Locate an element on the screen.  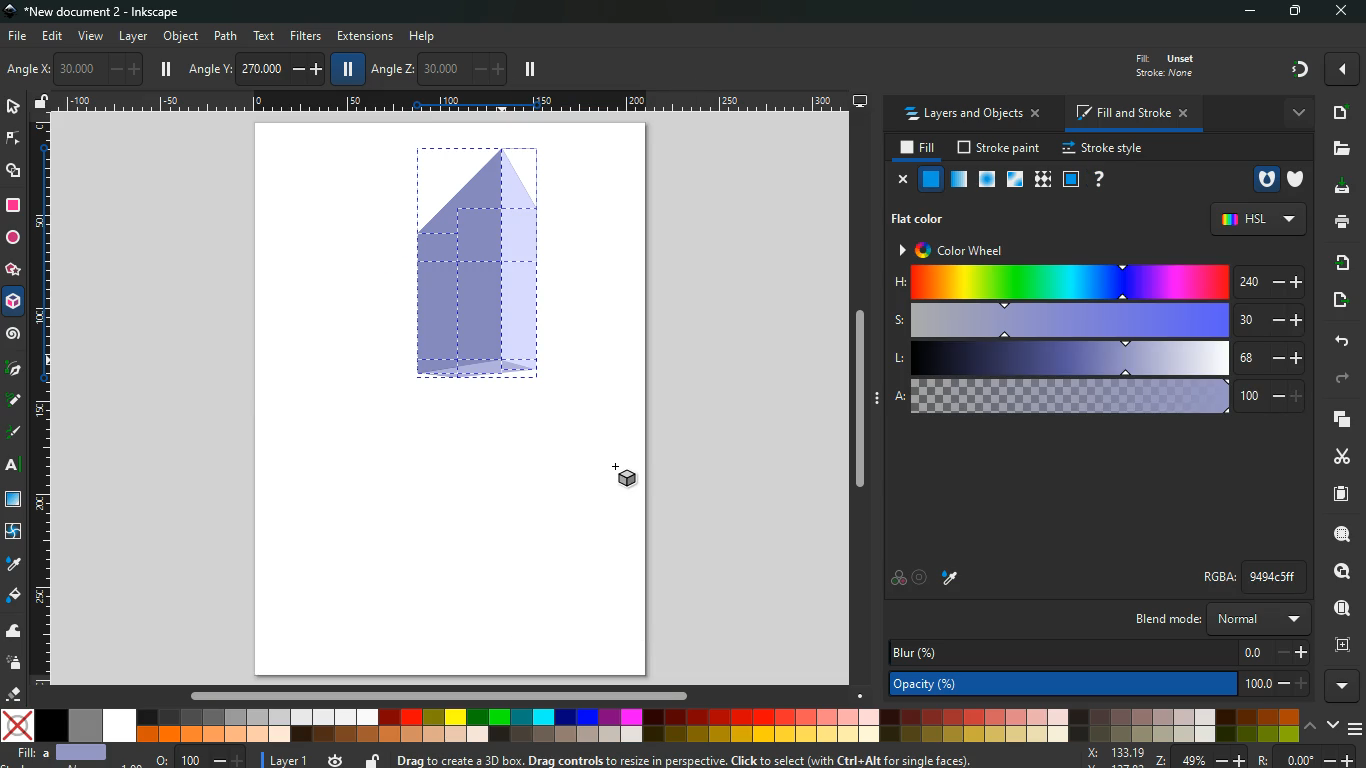
Ruler is located at coordinates (454, 101).